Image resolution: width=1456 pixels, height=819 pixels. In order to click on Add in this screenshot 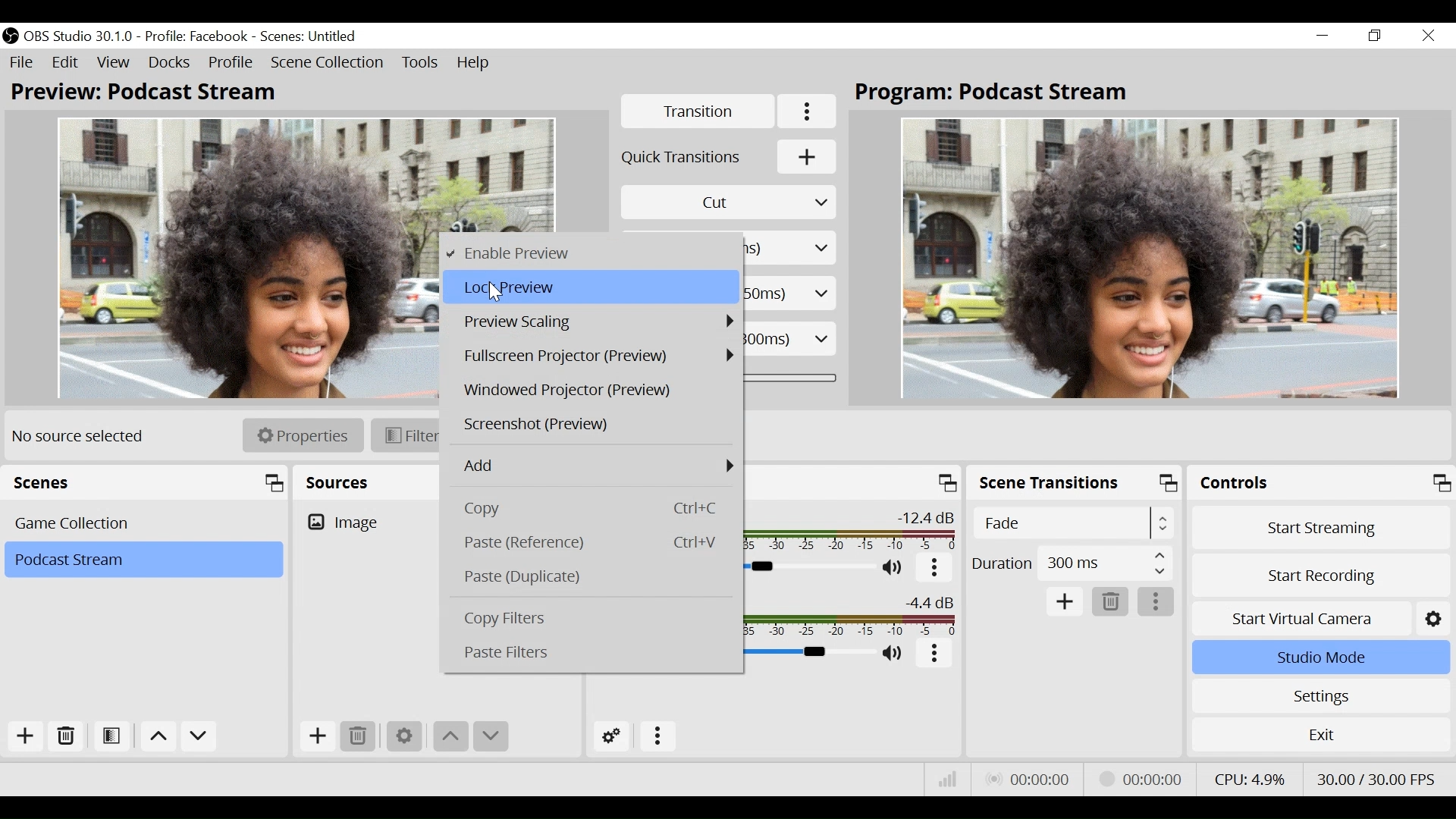, I will do `click(25, 735)`.